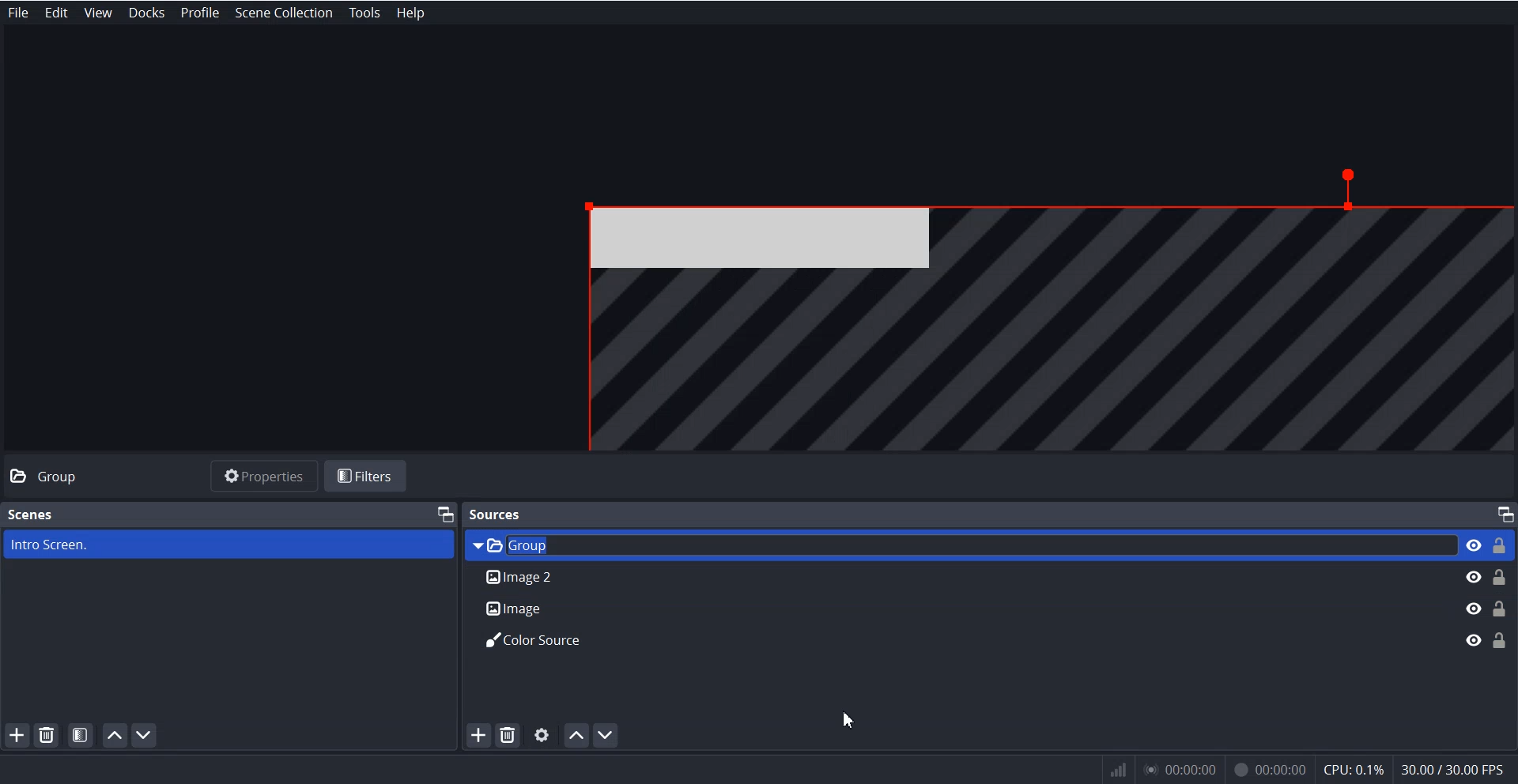 This screenshot has width=1518, height=784. Describe the element at coordinates (958, 640) in the screenshot. I see `Color Source` at that location.